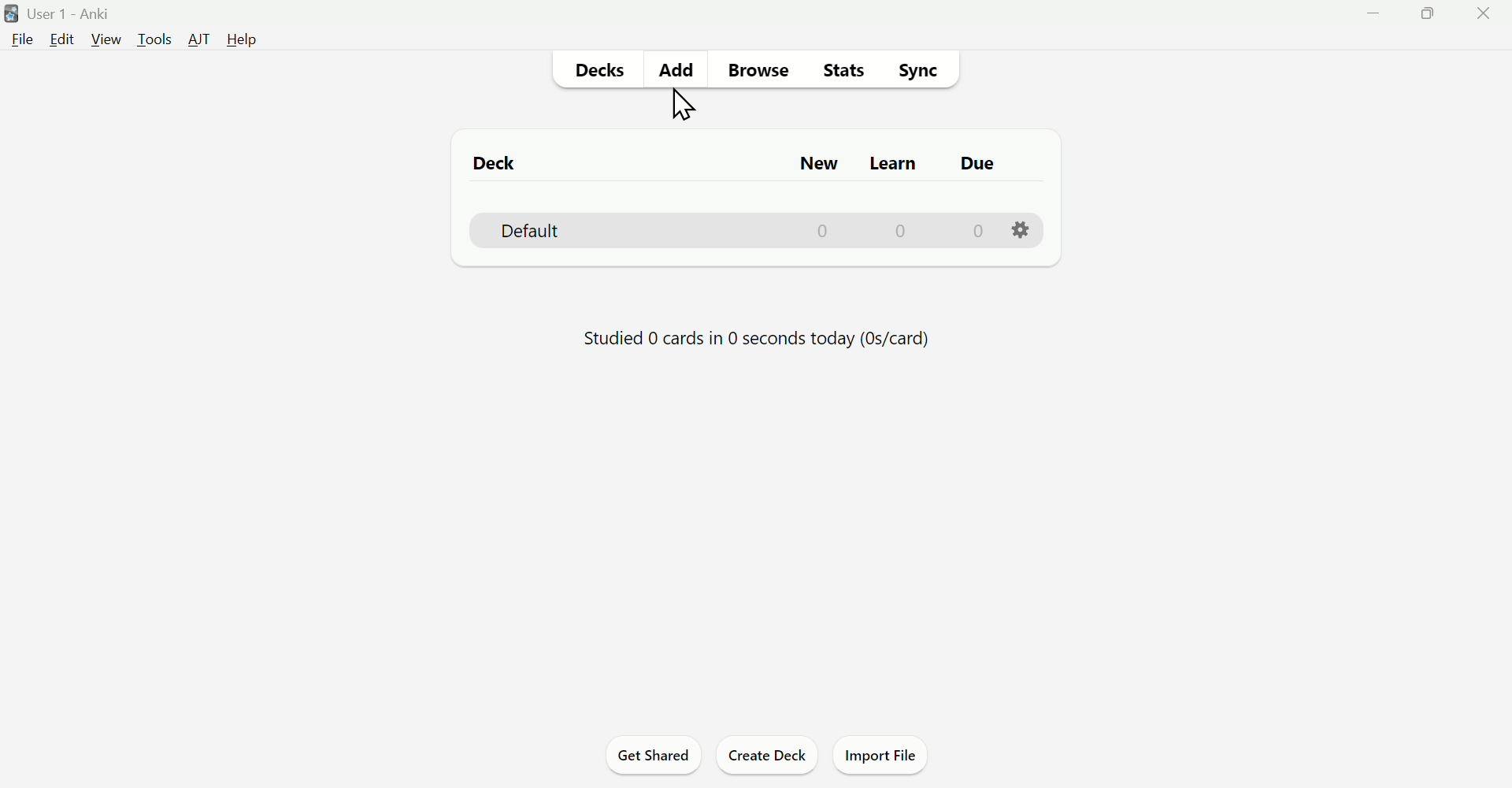 The image size is (1512, 788). I want to click on View, so click(105, 39).